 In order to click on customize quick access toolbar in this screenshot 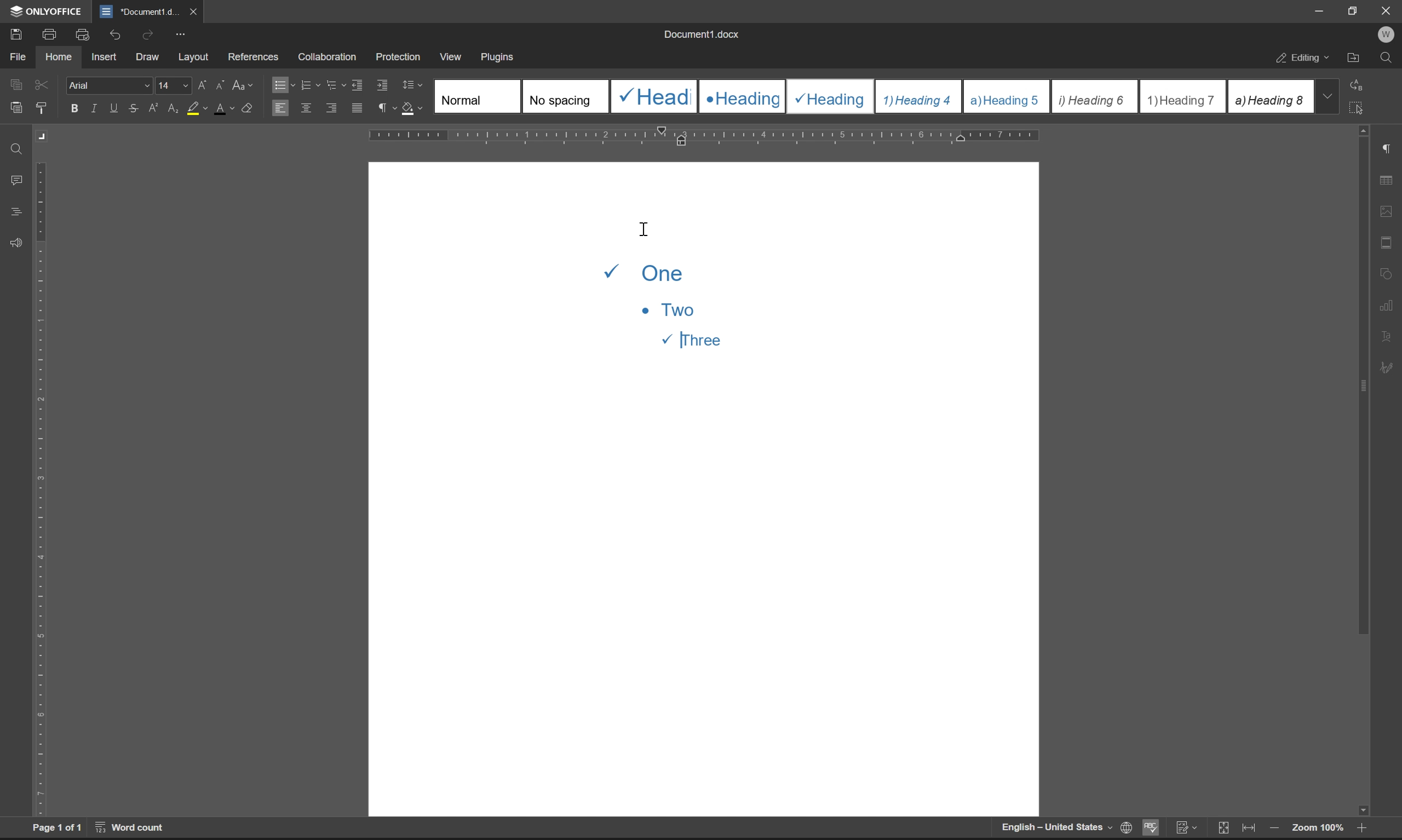, I will do `click(180, 35)`.